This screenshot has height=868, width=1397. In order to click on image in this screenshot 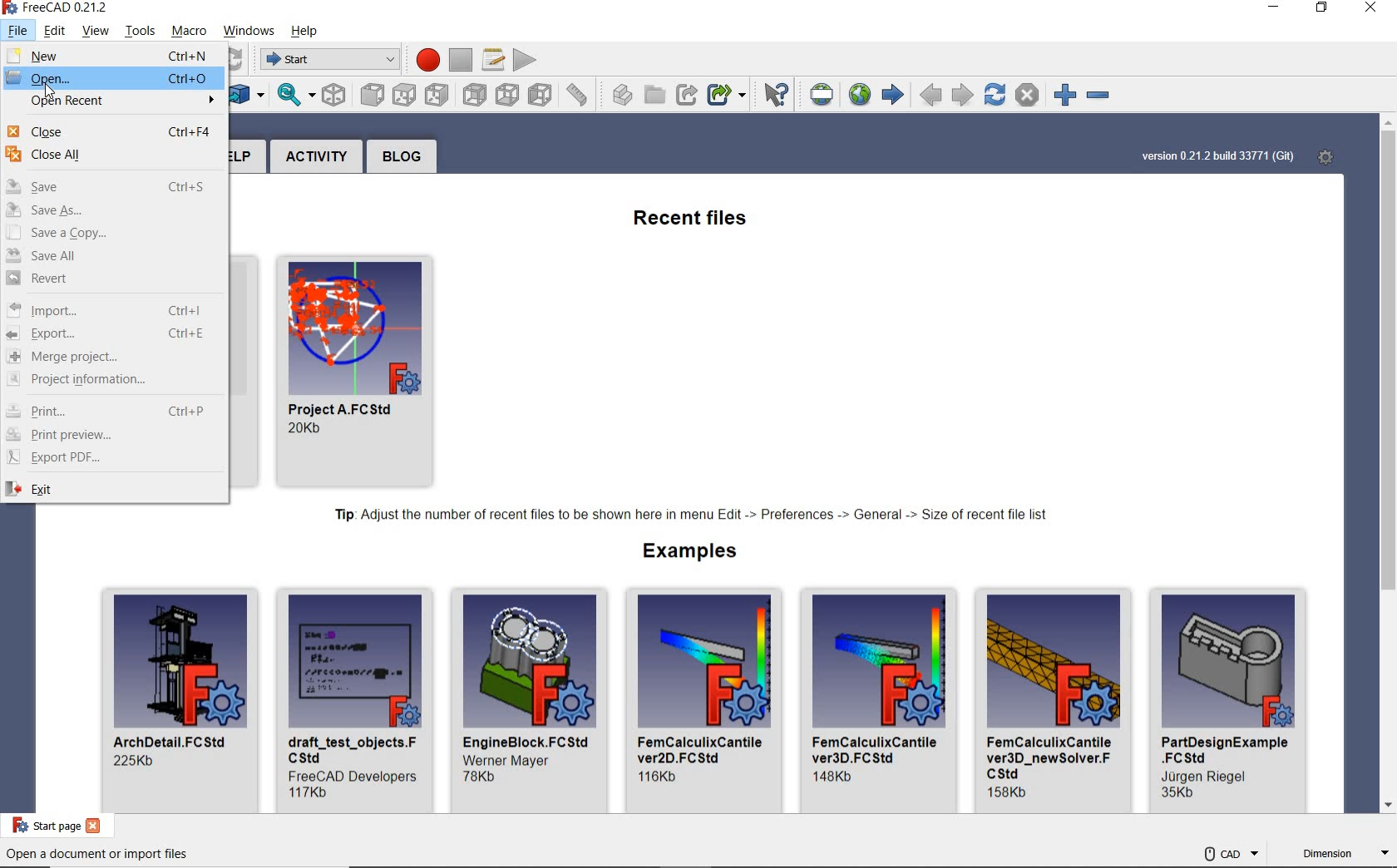, I will do `click(180, 662)`.